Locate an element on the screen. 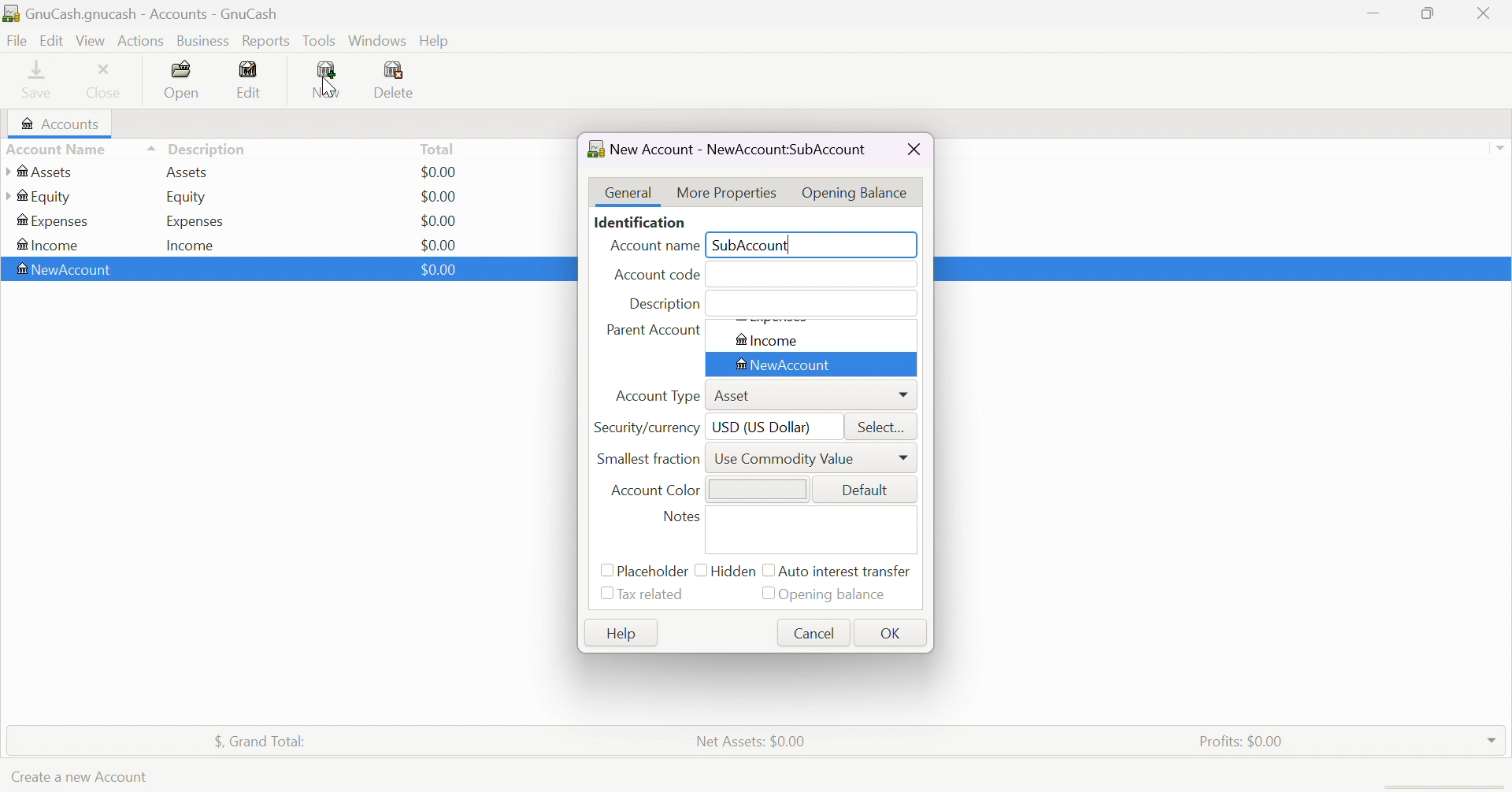 Image resolution: width=1512 pixels, height=792 pixels. Equity is located at coordinates (41, 196).